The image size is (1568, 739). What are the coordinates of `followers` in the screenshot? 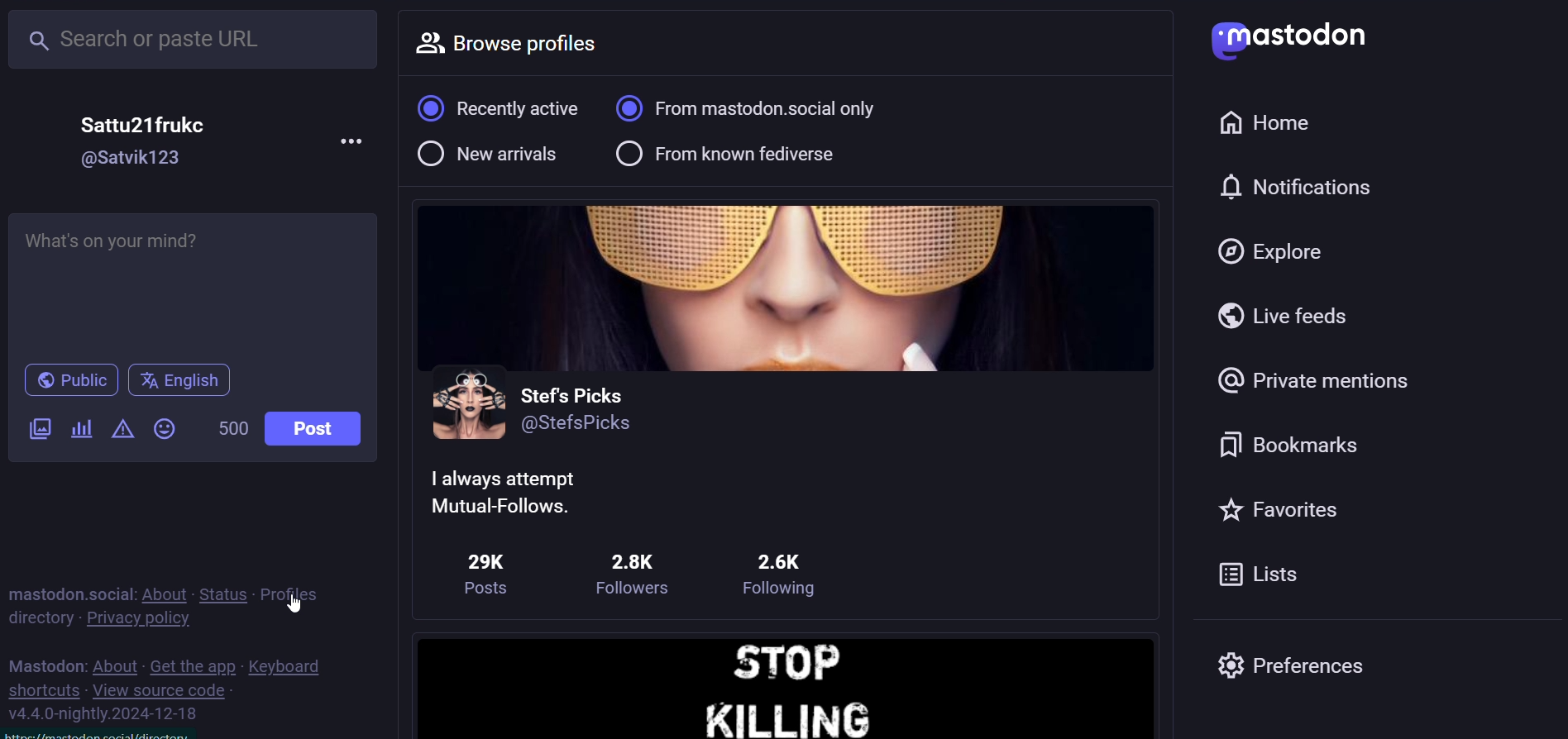 It's located at (642, 574).